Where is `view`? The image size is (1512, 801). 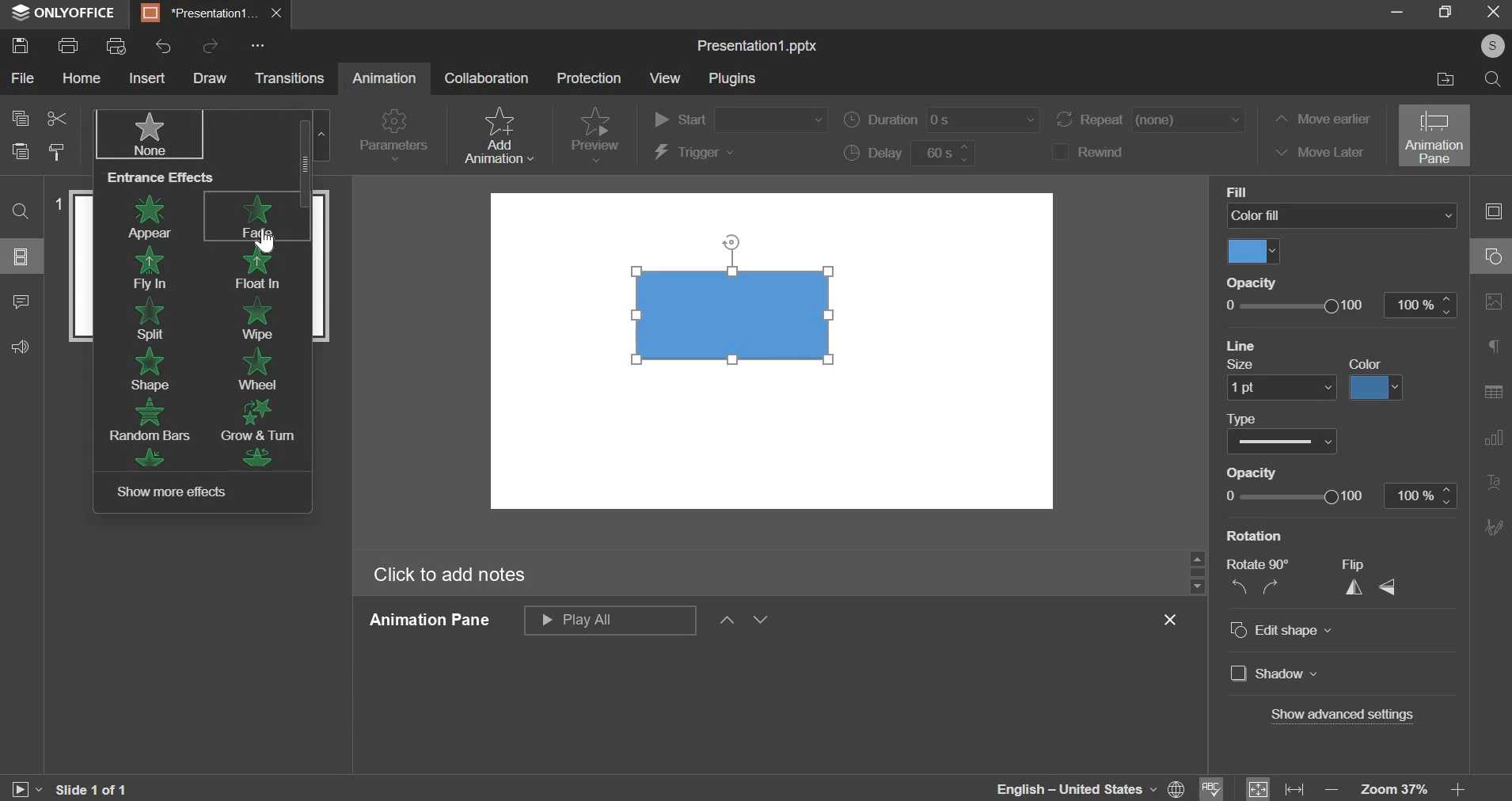
view is located at coordinates (667, 79).